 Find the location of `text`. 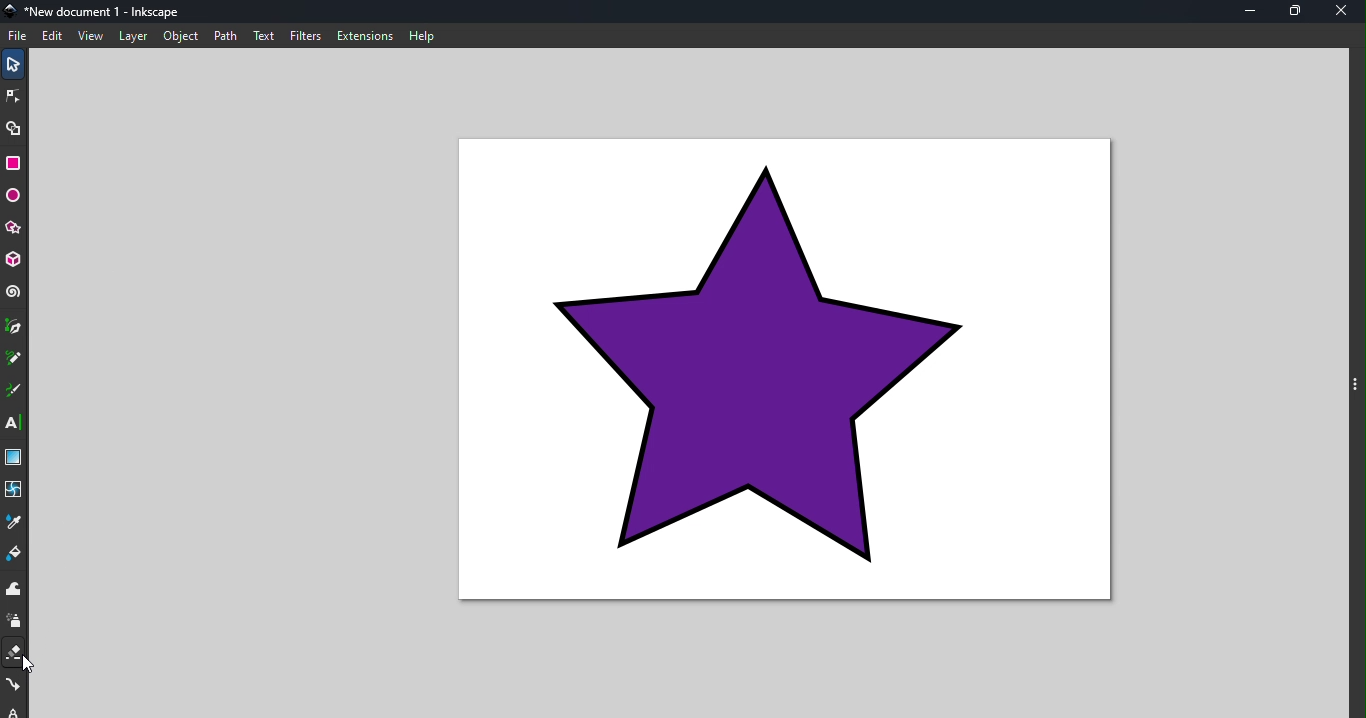

text is located at coordinates (265, 35).